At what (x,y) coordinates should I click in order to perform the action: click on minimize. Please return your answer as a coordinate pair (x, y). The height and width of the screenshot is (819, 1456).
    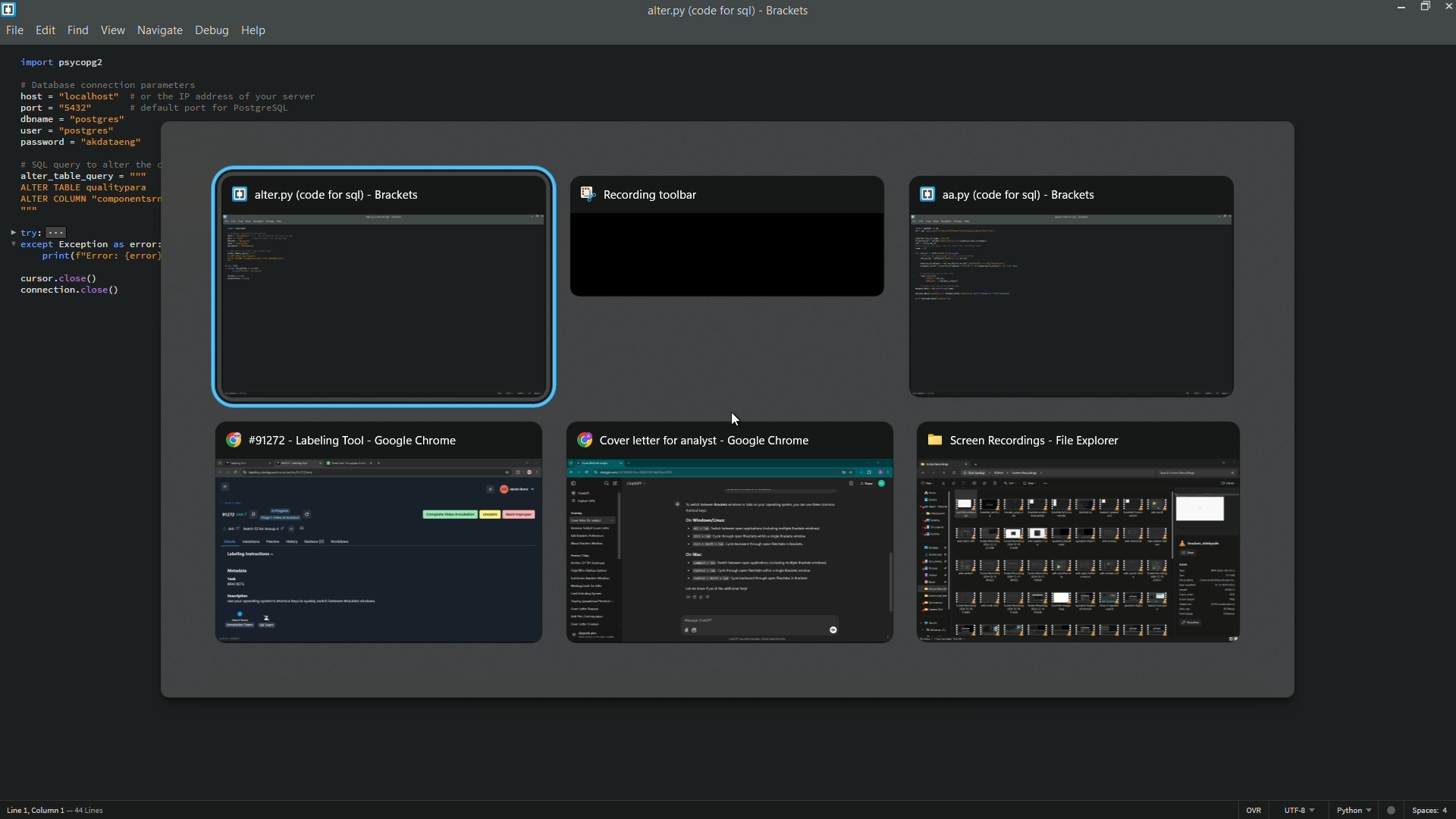
    Looking at the image, I should click on (1398, 8).